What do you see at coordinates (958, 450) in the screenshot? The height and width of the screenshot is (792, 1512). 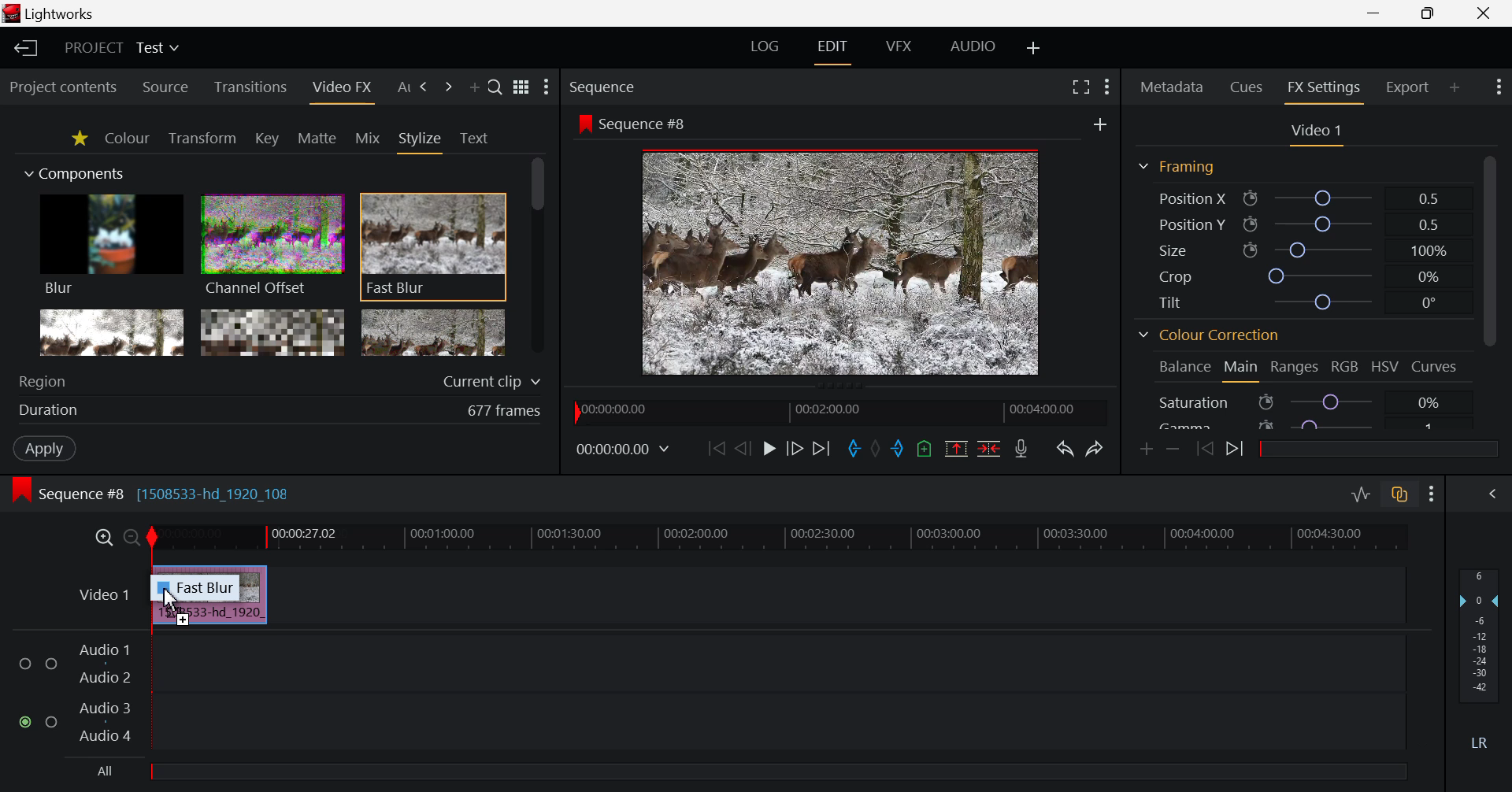 I see `Remove marked section` at bounding box center [958, 450].